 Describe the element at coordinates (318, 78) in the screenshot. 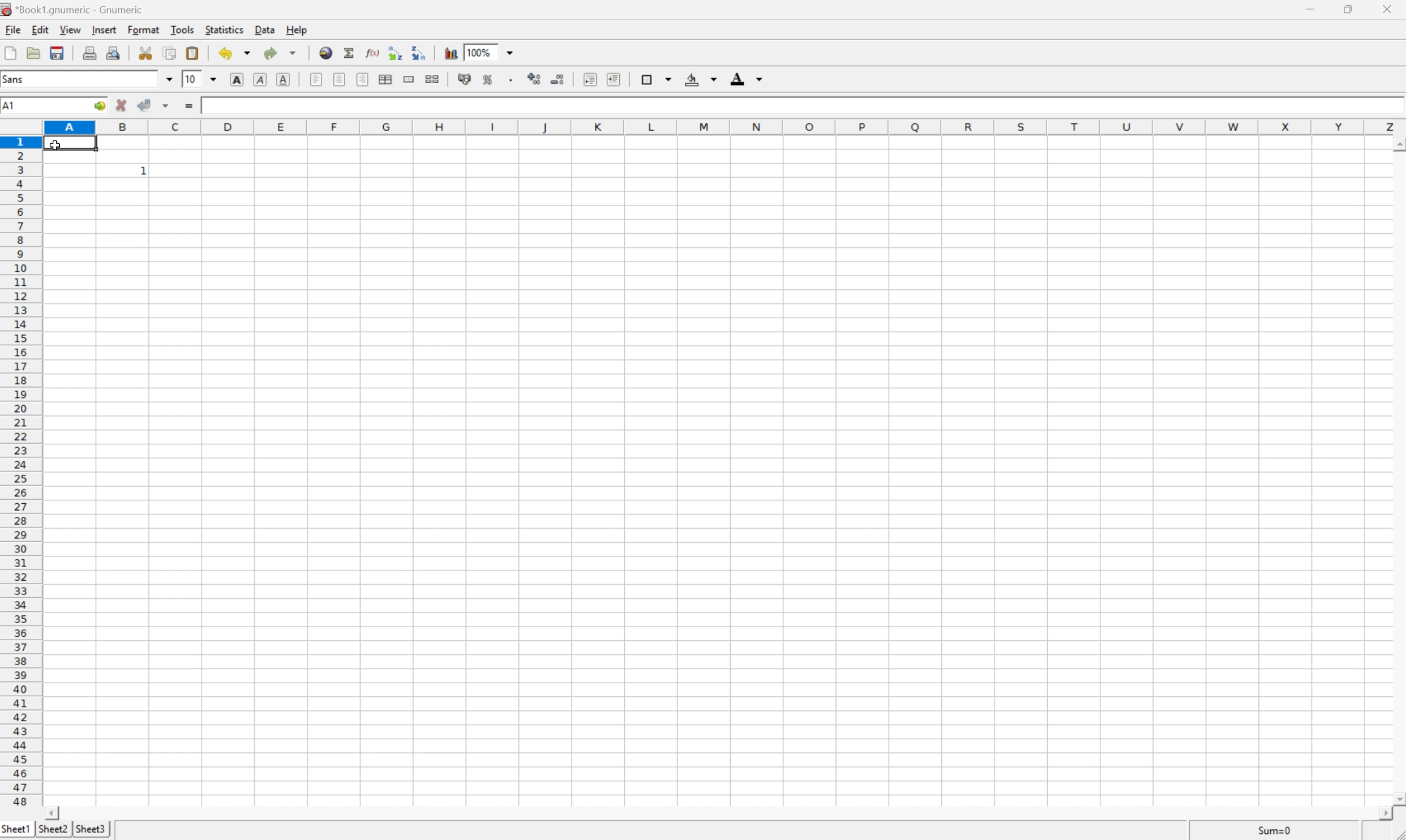

I see `Align Left` at that location.